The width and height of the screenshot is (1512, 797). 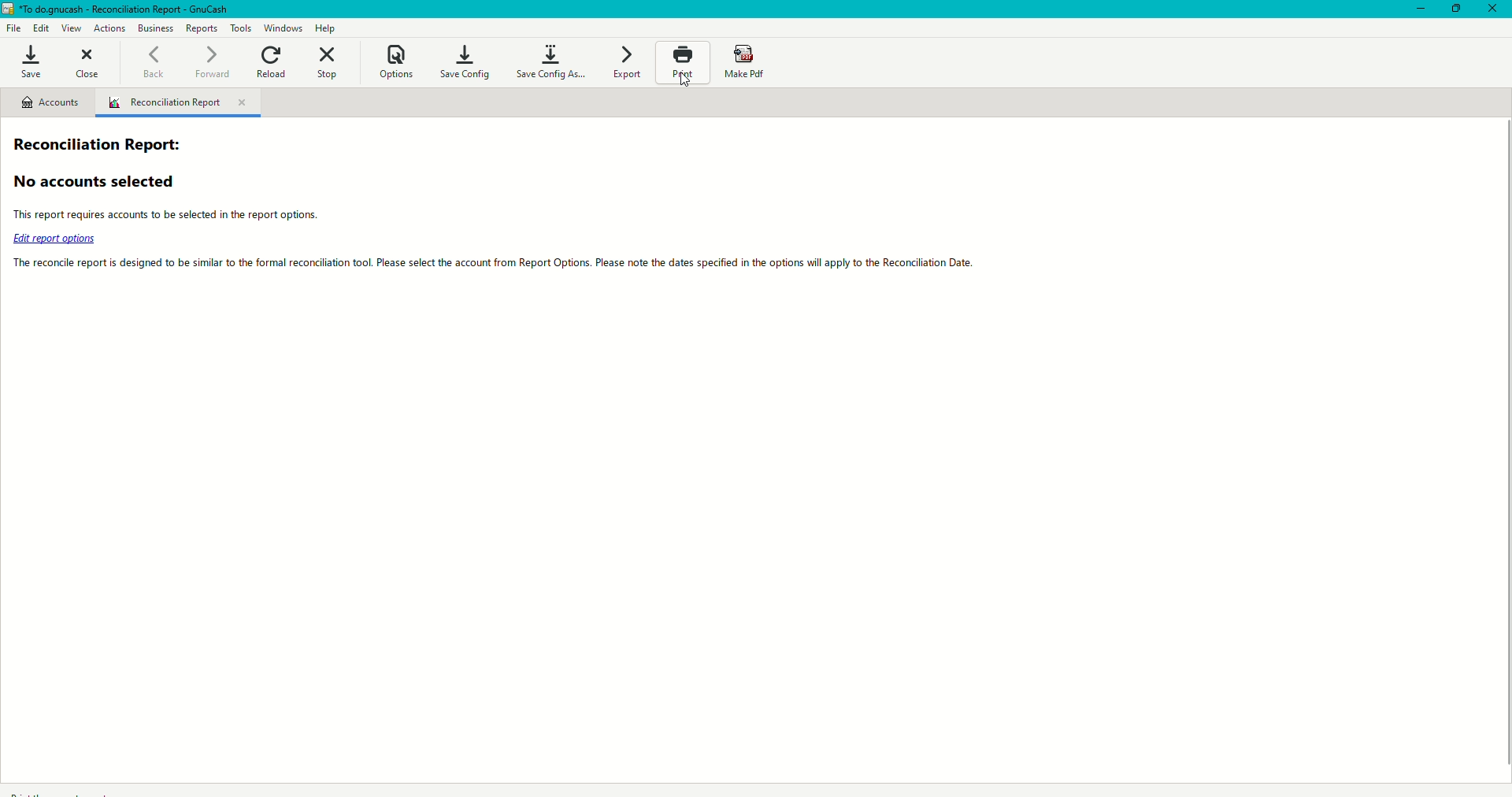 I want to click on Close, so click(x=85, y=62).